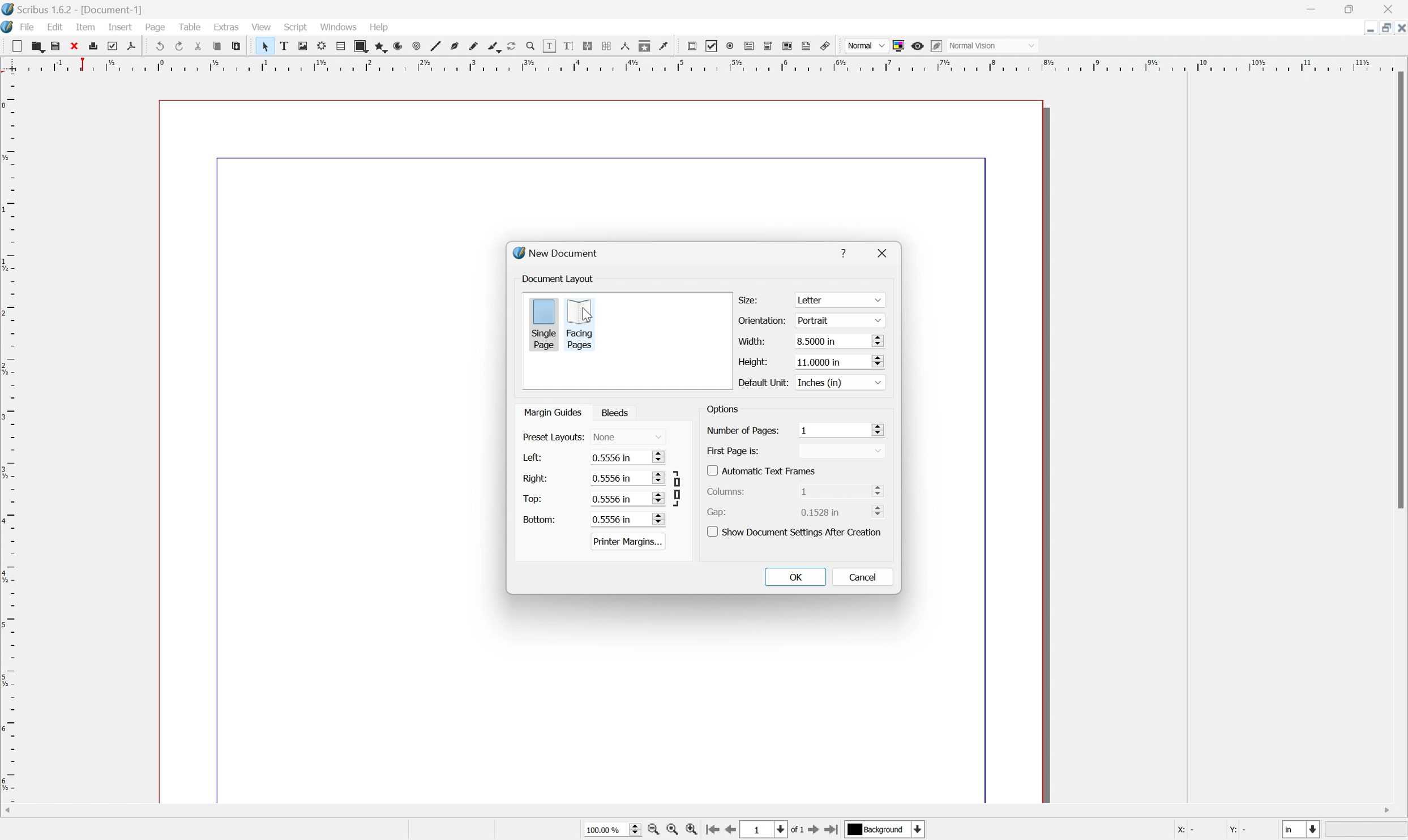 Image resolution: width=1408 pixels, height=840 pixels. I want to click on Insert, so click(119, 28).